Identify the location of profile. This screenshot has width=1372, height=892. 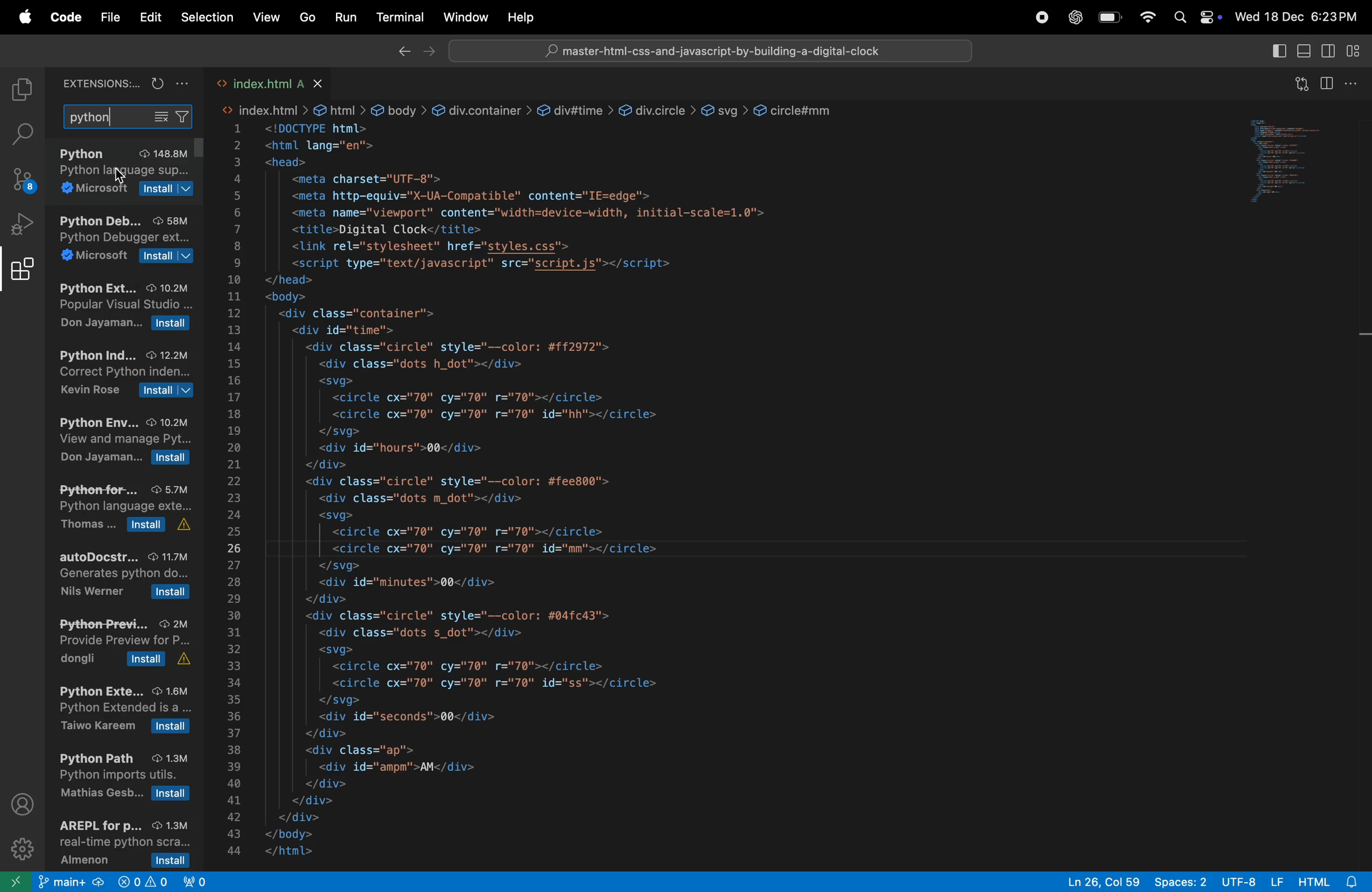
(25, 804).